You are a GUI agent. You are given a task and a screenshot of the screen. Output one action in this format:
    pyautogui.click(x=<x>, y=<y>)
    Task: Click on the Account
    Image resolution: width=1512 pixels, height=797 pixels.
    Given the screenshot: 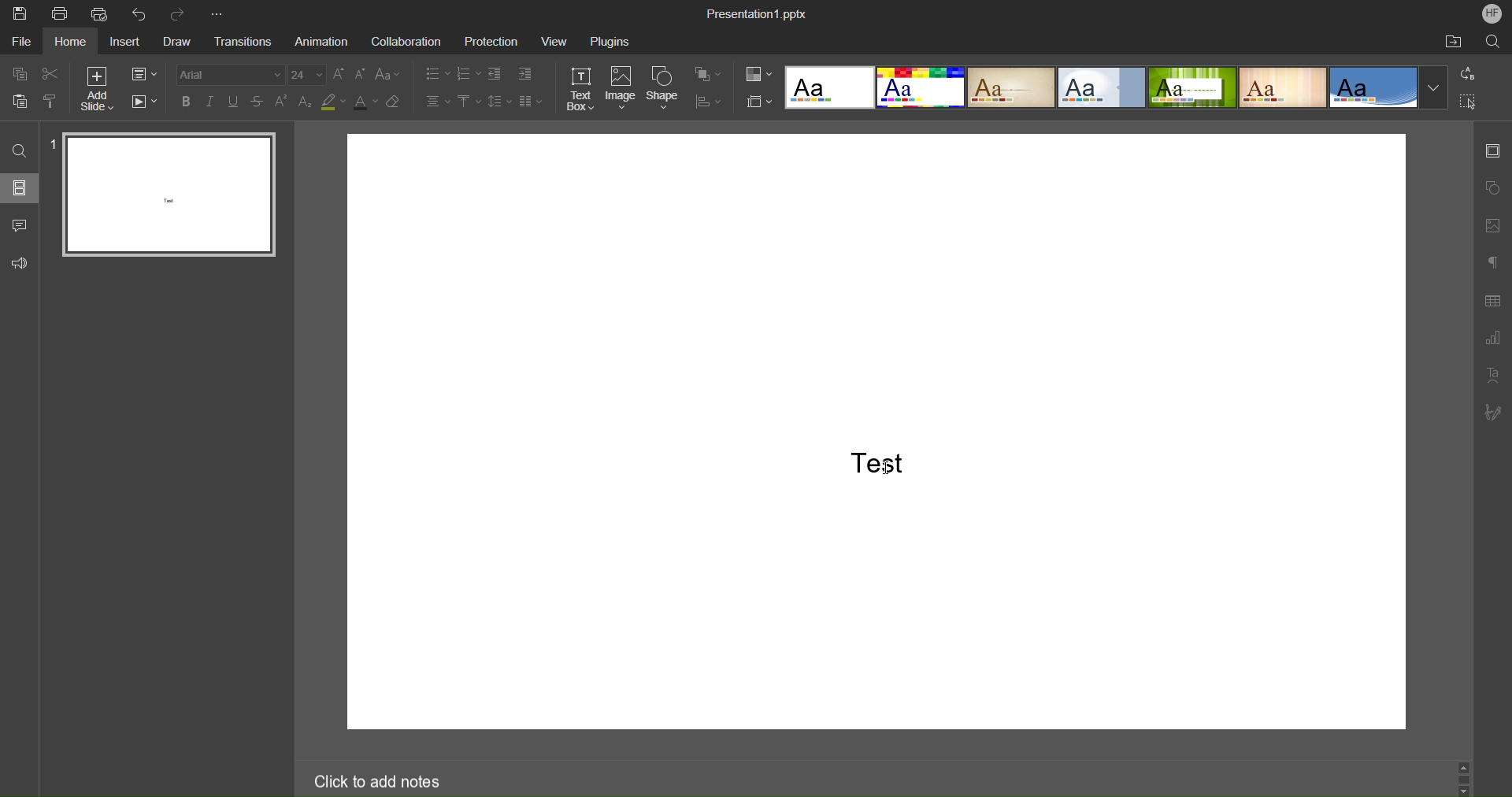 What is the action you would take?
    pyautogui.click(x=1492, y=15)
    